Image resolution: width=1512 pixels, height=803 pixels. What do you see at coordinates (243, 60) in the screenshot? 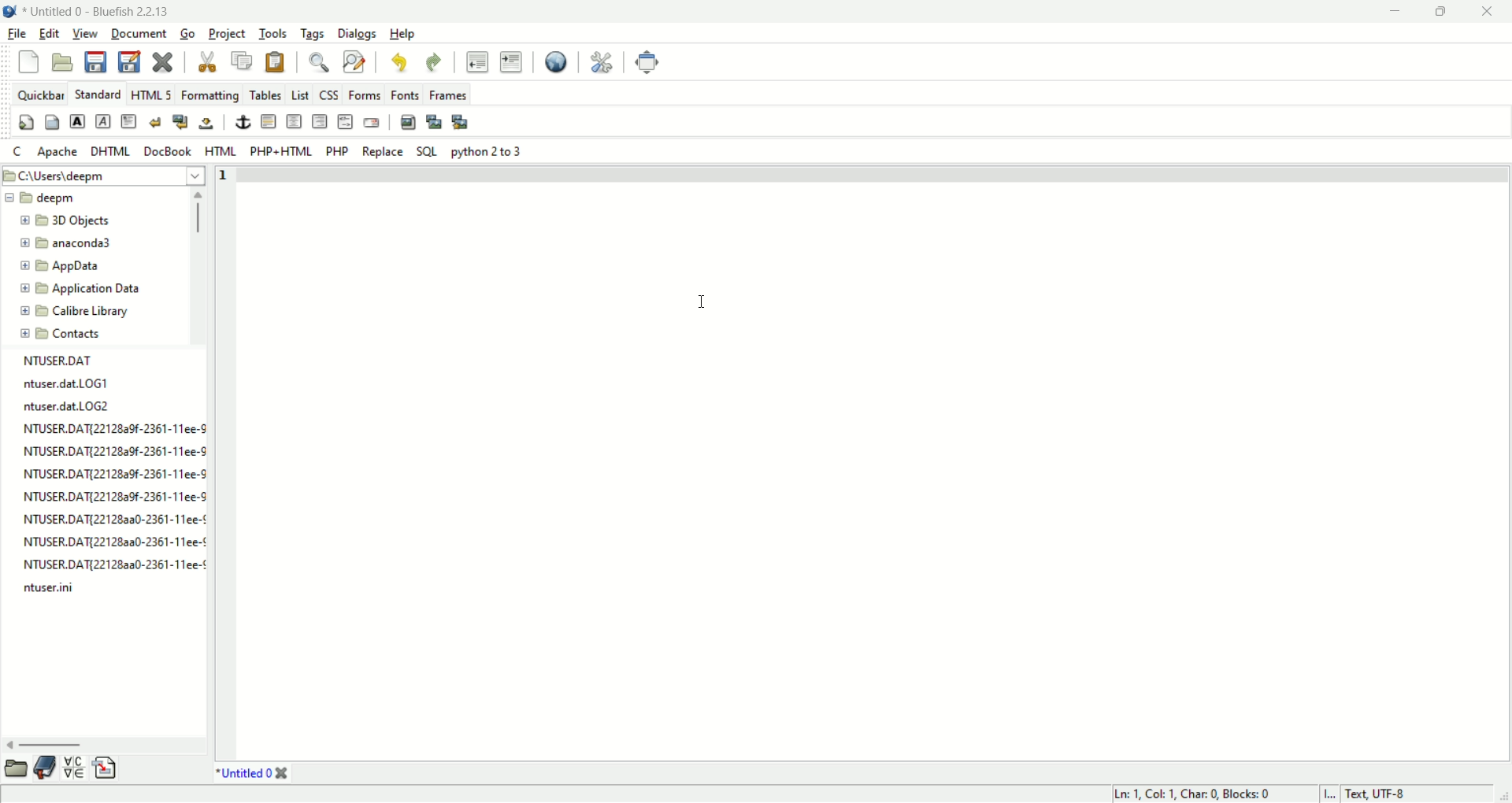
I see `copy` at bounding box center [243, 60].